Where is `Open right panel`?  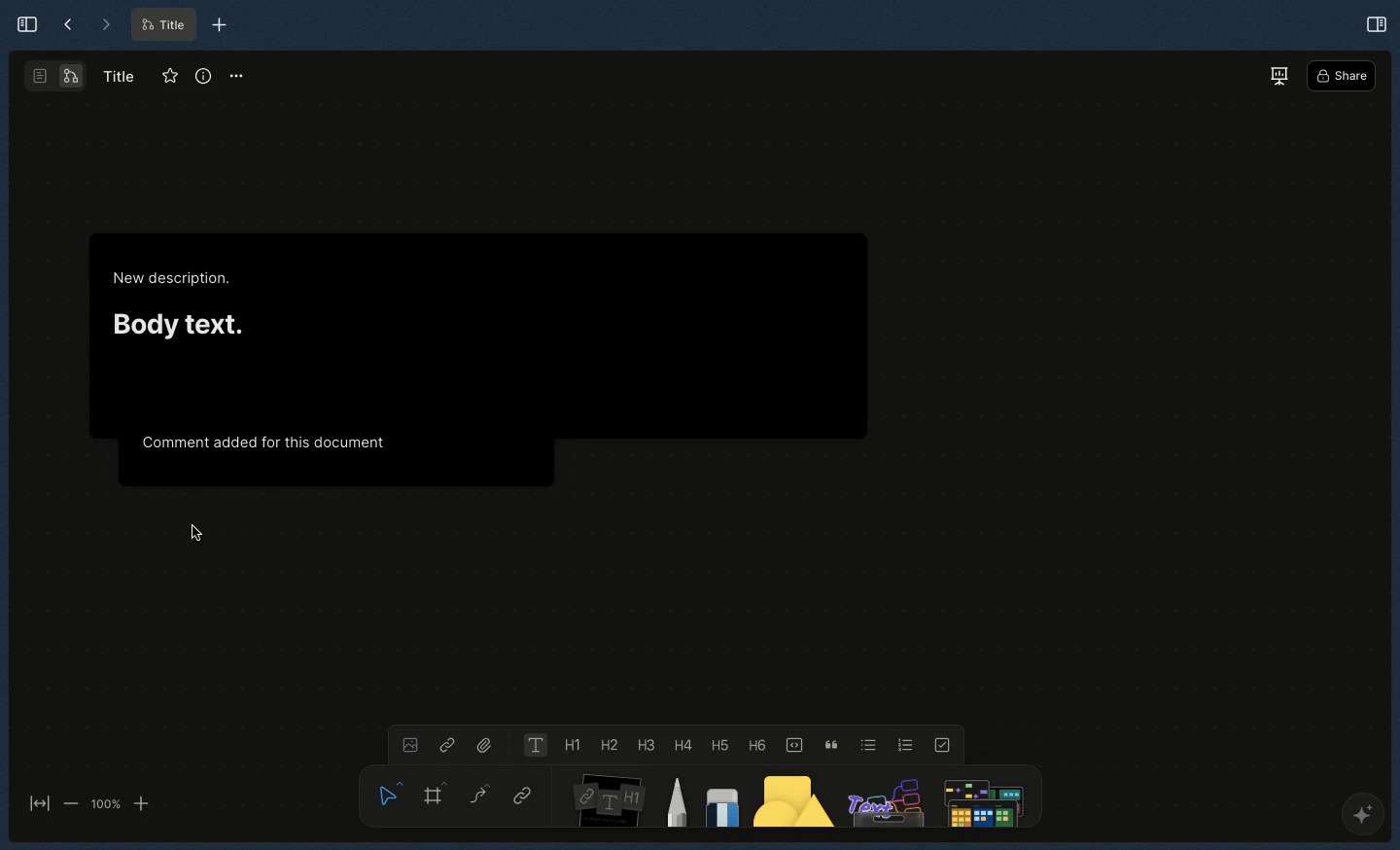
Open right panel is located at coordinates (1376, 22).